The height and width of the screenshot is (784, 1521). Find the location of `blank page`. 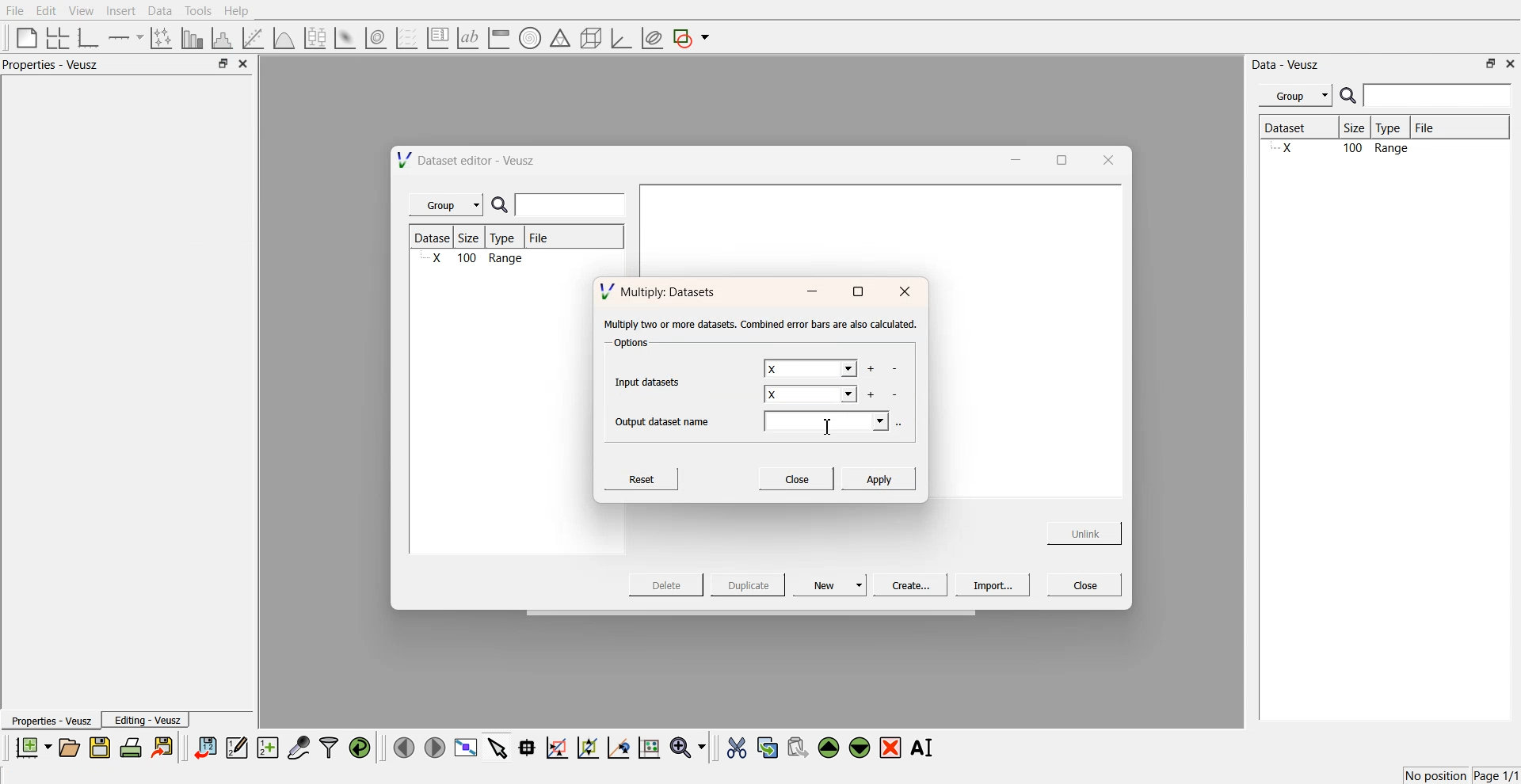

blank page is located at coordinates (23, 36).